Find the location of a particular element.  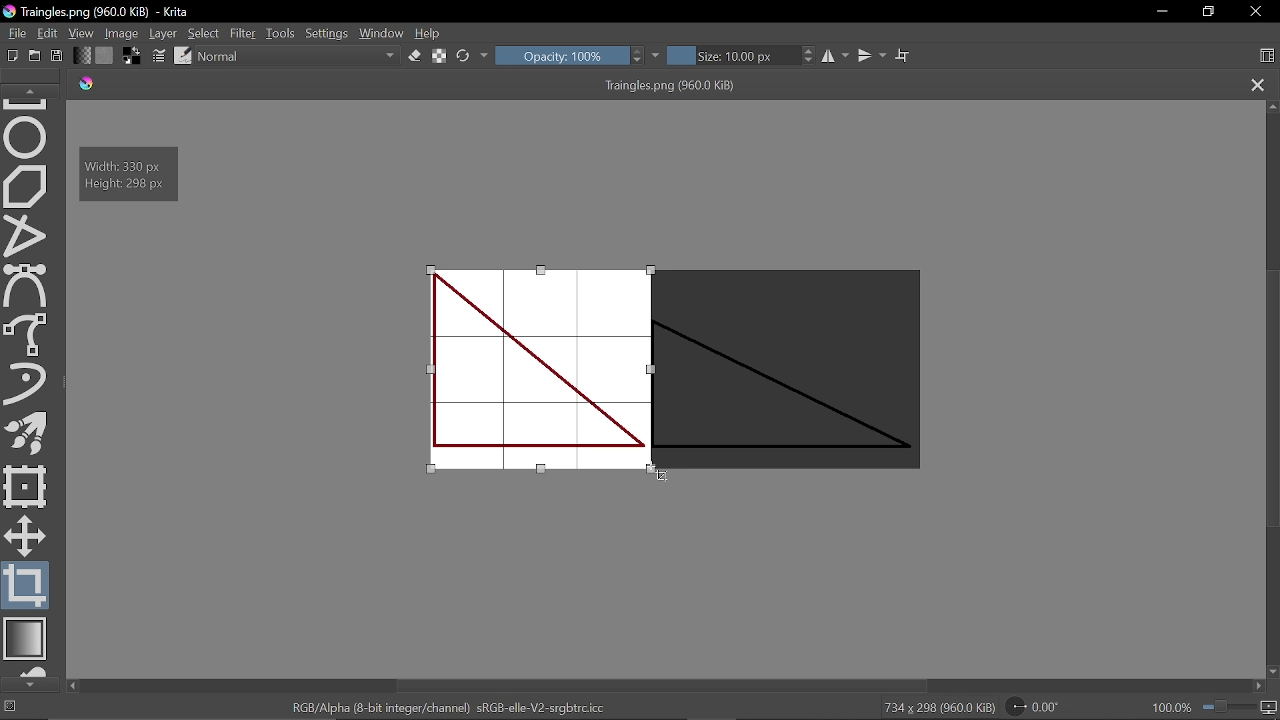

Selected part of the image is located at coordinates (539, 371).